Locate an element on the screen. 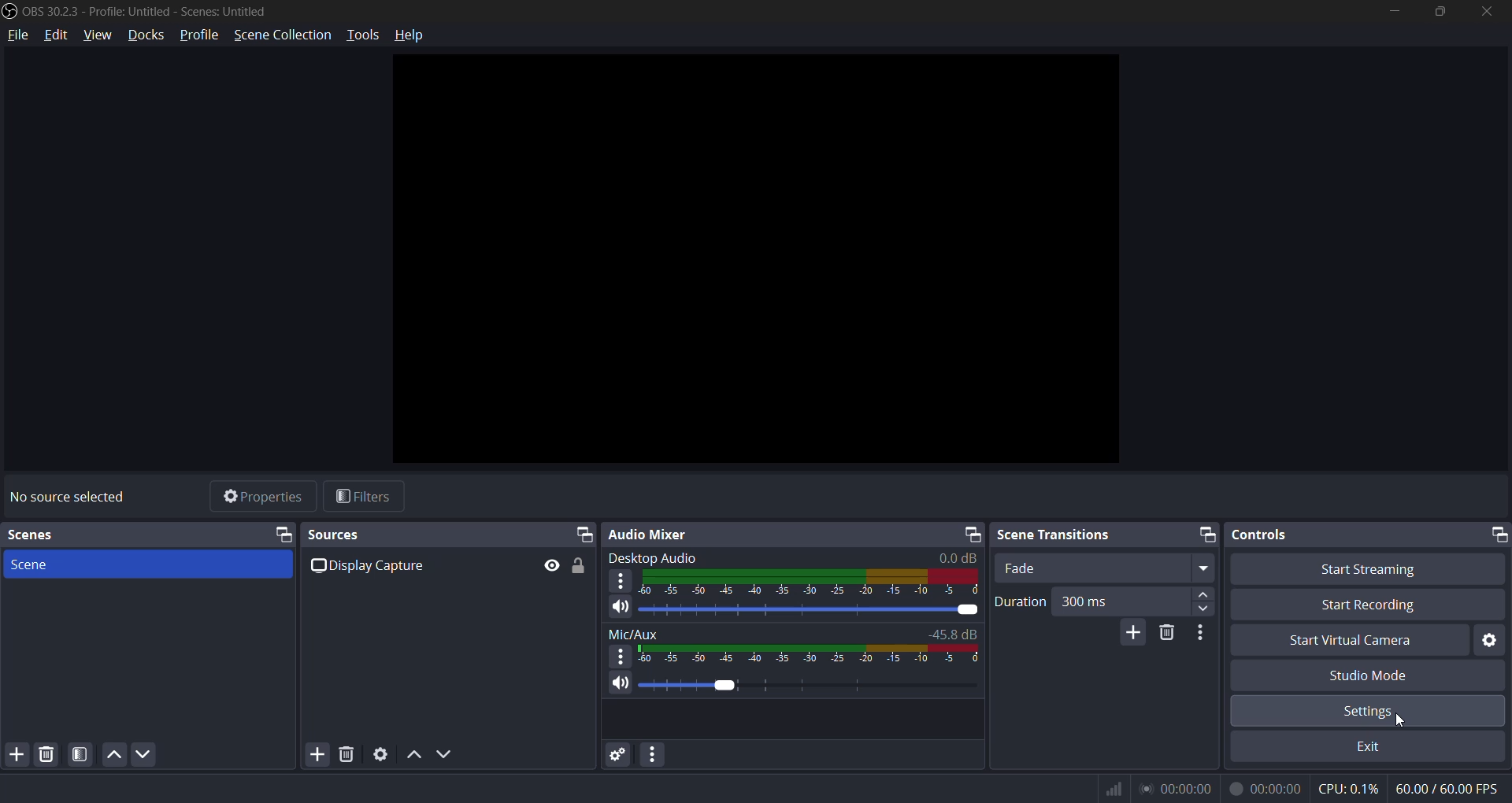 The image size is (1512, 803). OBS 30.2.3 - Profile: Untitled - Scenes: Untitled is located at coordinates (147, 12).